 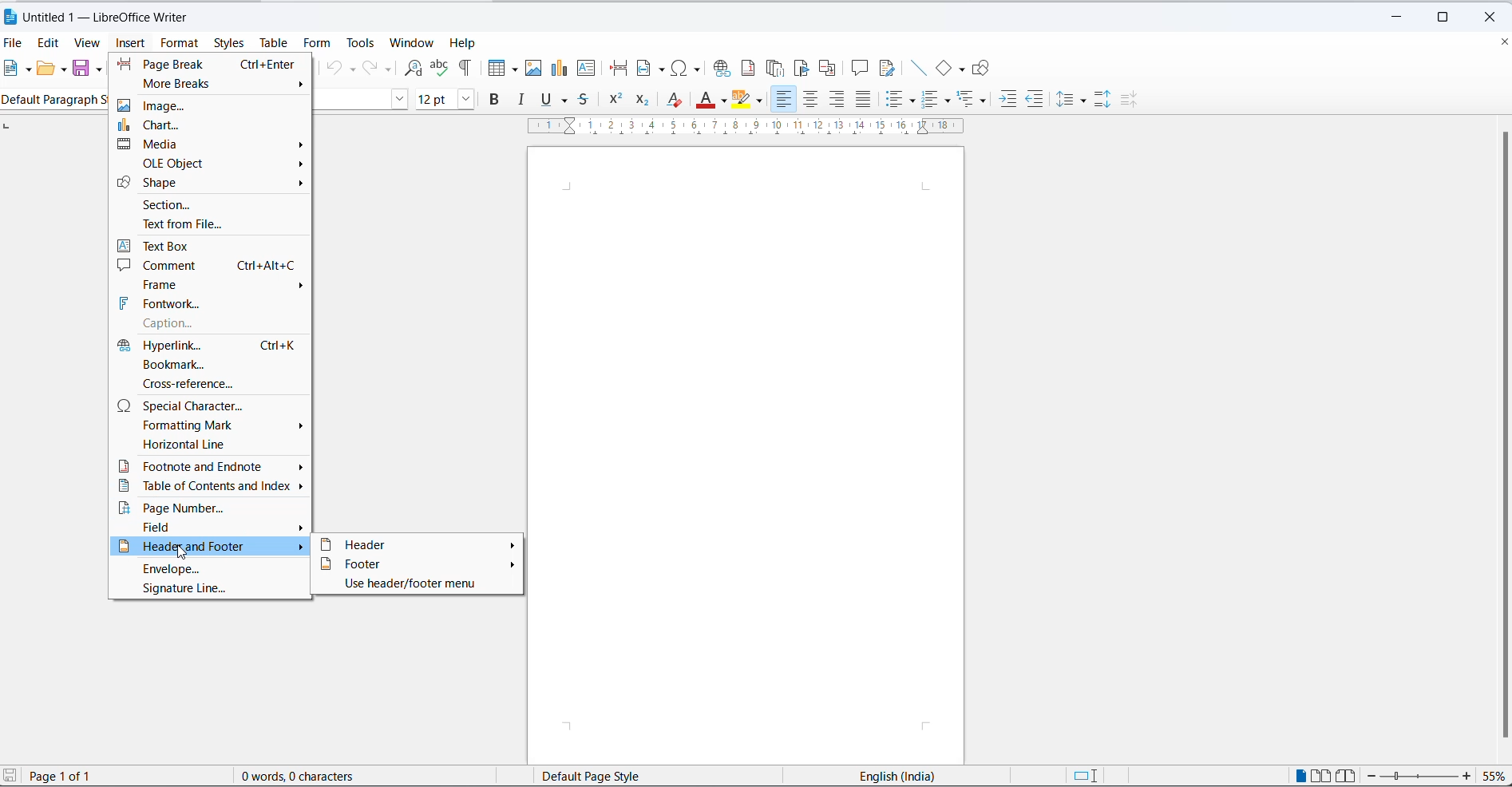 I want to click on insert footnote, so click(x=747, y=69).